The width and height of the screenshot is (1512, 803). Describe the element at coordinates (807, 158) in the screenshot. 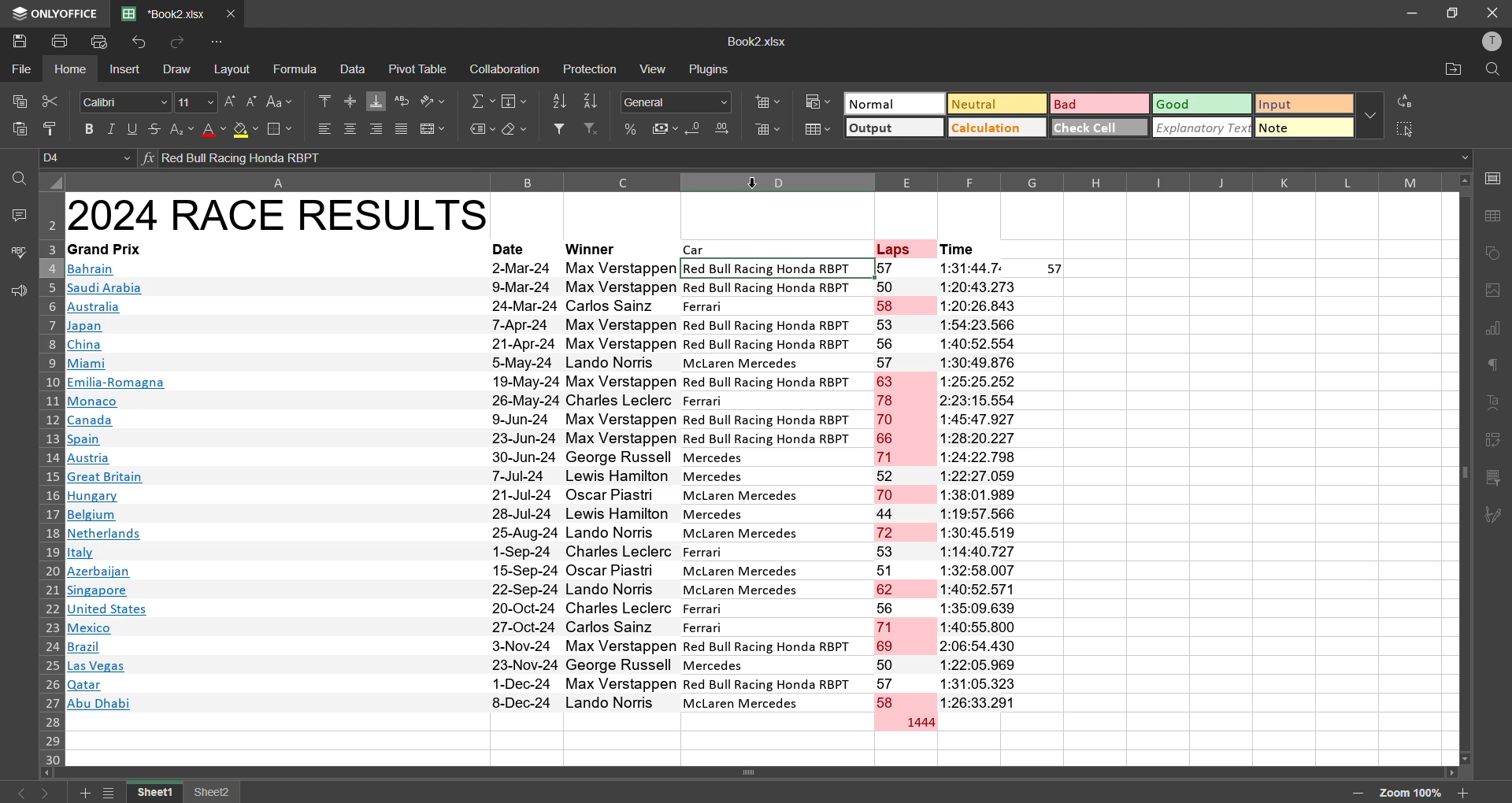

I see `formula bar` at that location.